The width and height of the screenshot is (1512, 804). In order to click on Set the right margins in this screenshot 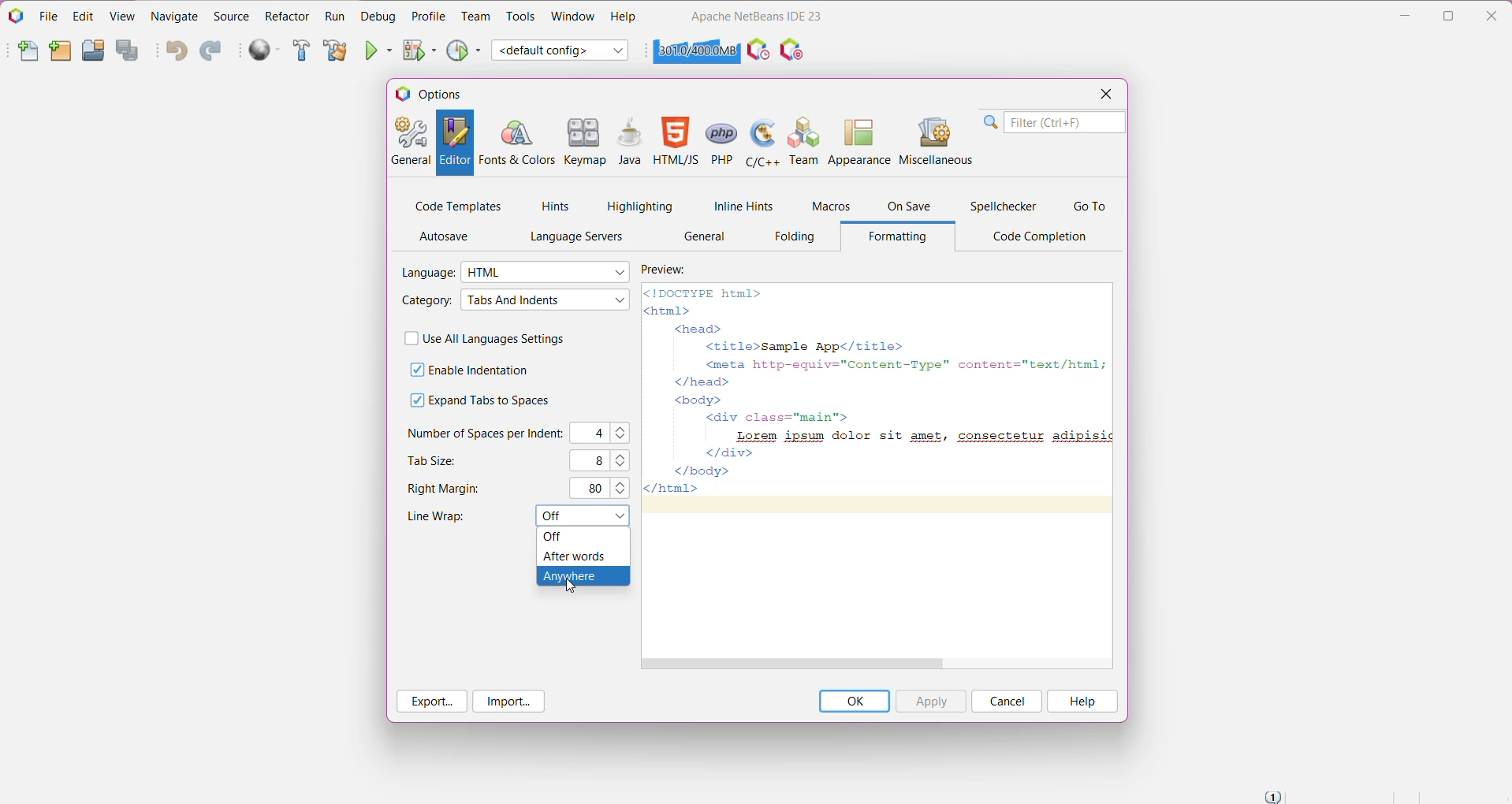, I will do `click(623, 487)`.